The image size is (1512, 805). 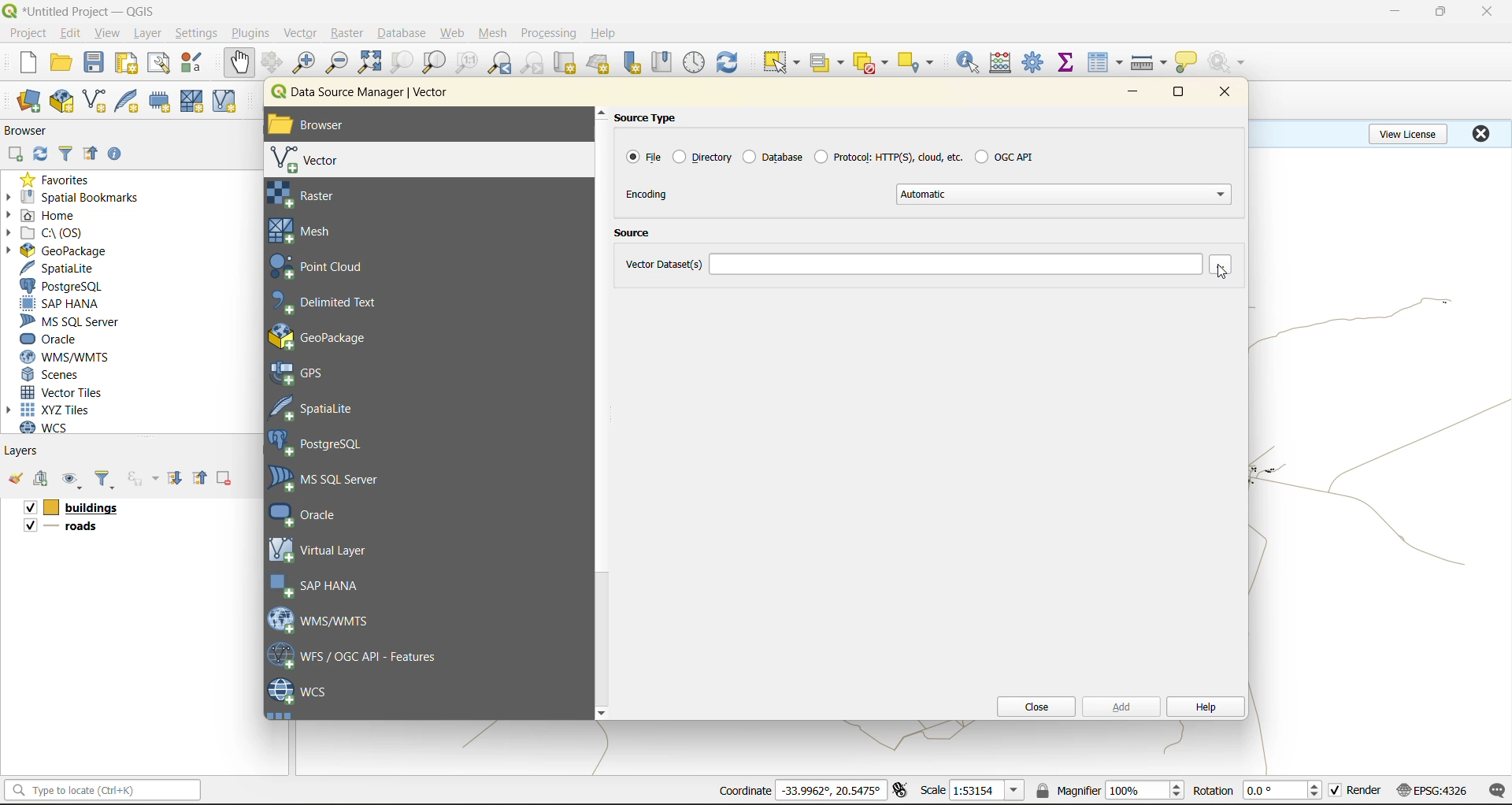 I want to click on checkbox, so click(x=28, y=508).